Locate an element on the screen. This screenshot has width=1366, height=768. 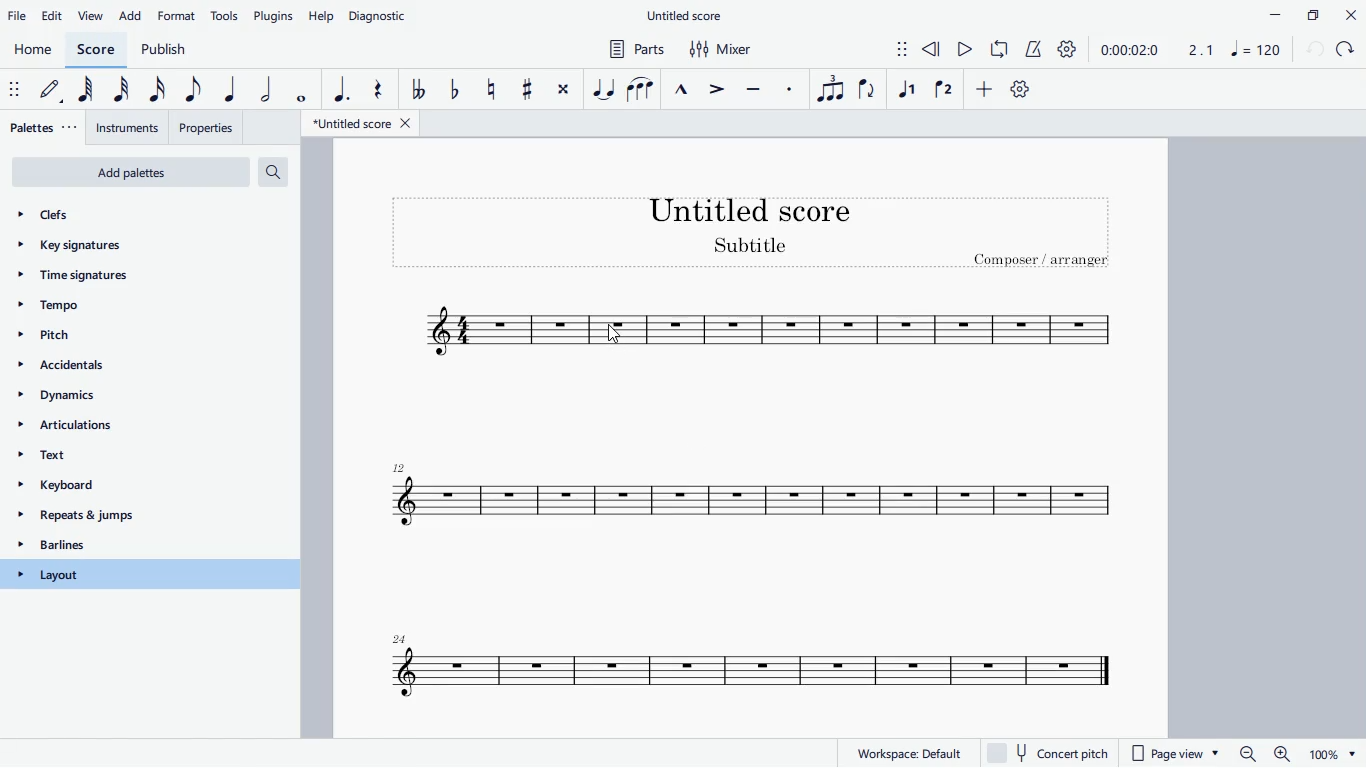
view is located at coordinates (91, 16).